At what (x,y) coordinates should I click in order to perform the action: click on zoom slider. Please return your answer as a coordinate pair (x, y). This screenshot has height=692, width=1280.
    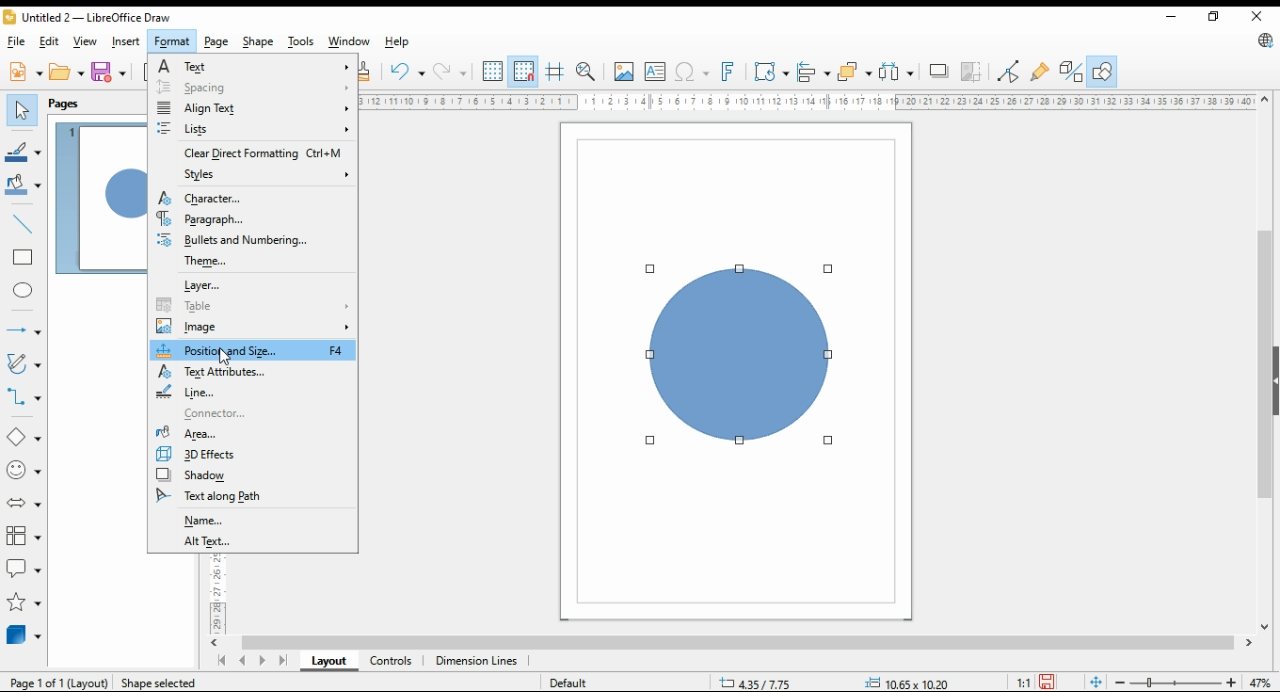
    Looking at the image, I should click on (1176, 681).